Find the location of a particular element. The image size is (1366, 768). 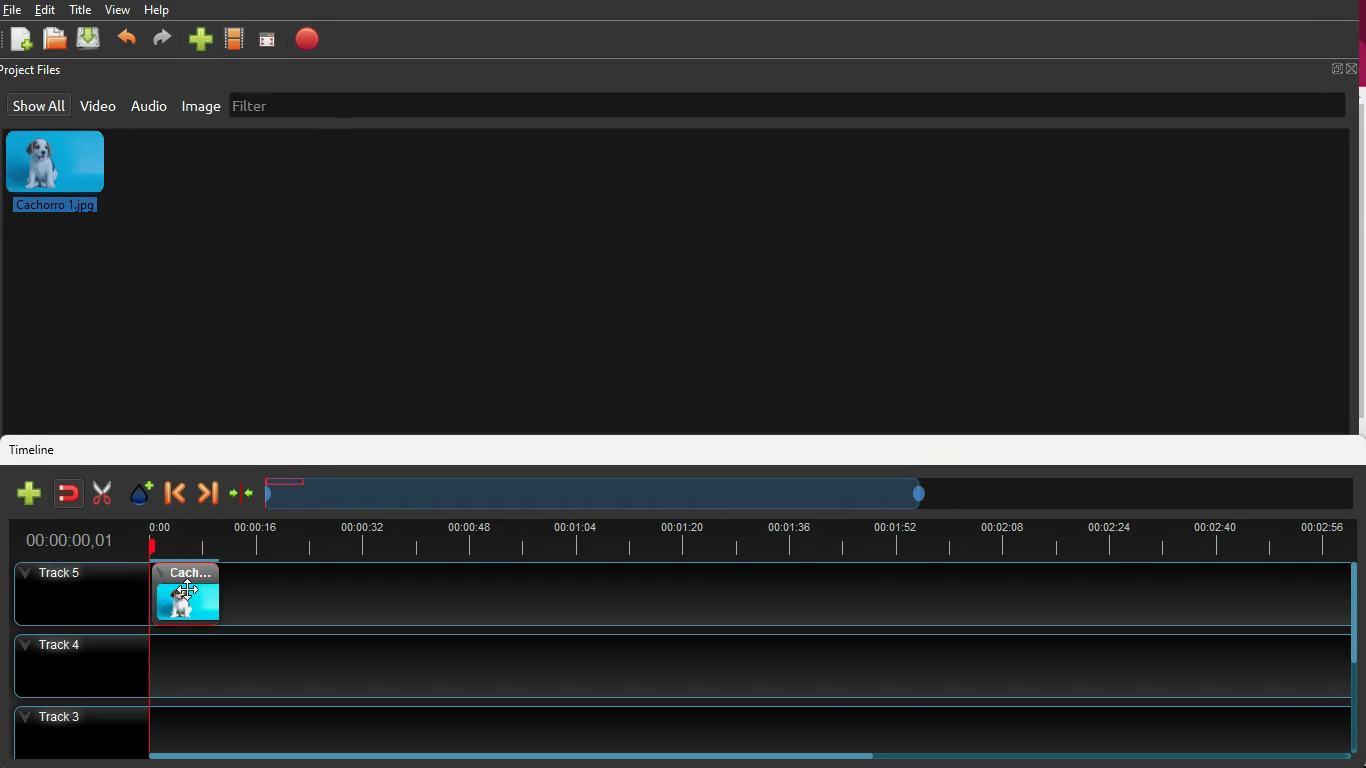

open files is located at coordinates (55, 39).